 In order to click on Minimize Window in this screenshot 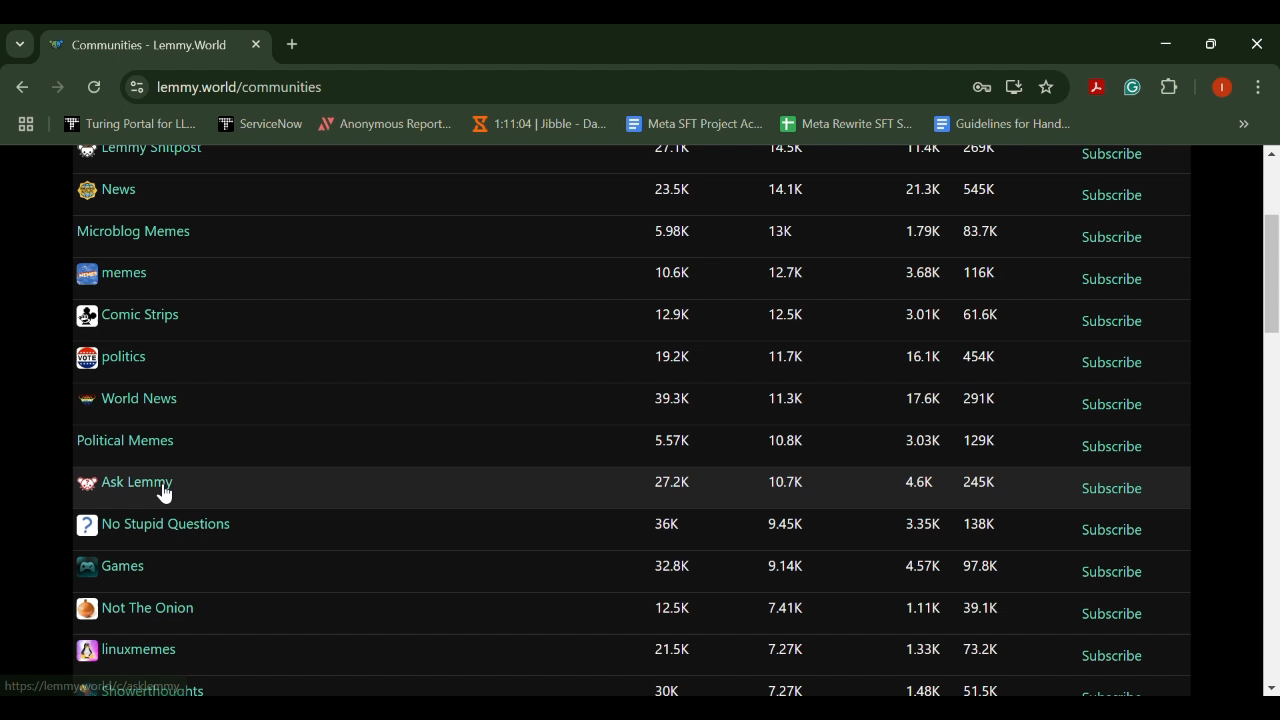, I will do `click(1214, 43)`.